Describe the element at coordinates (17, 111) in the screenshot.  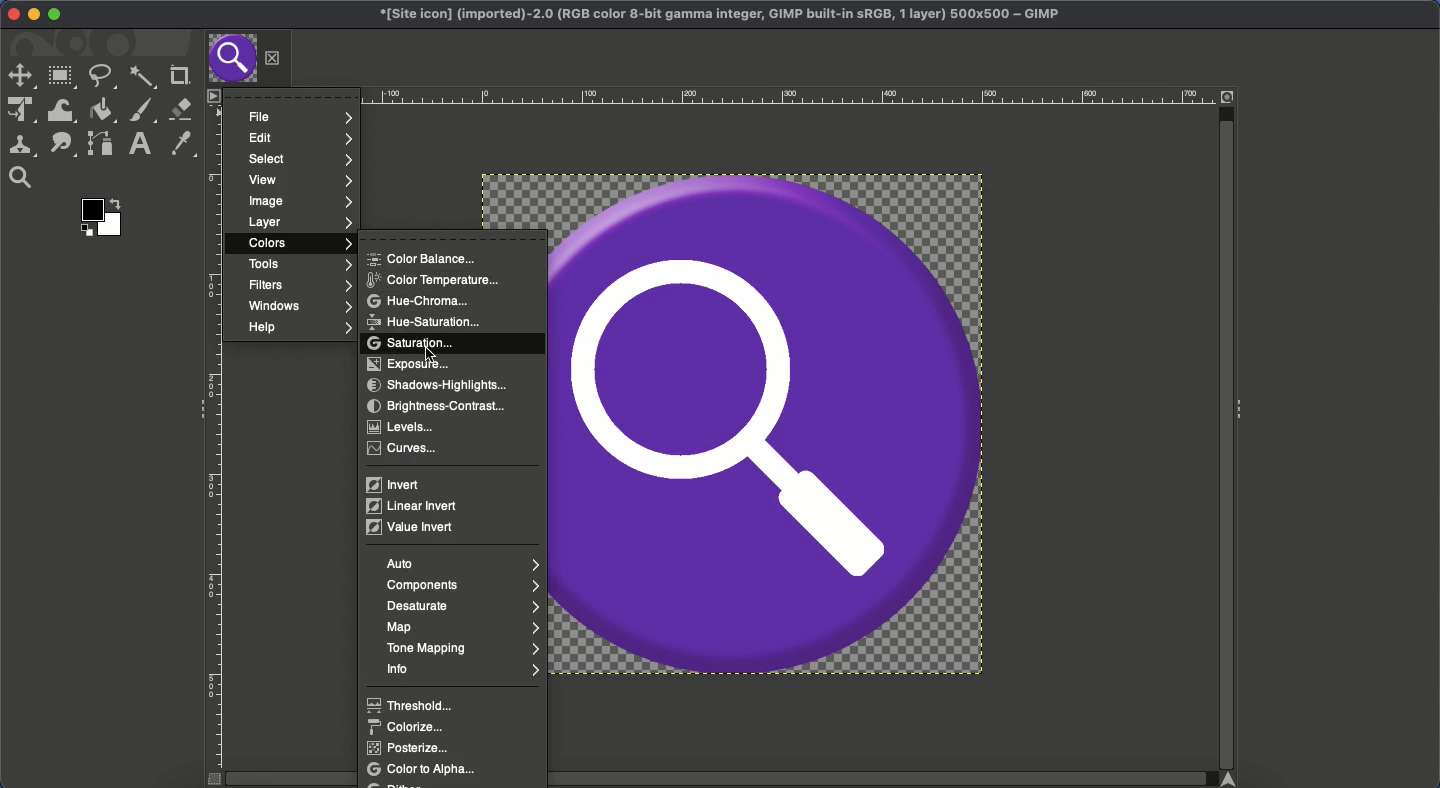
I see `Unified transformation` at that location.